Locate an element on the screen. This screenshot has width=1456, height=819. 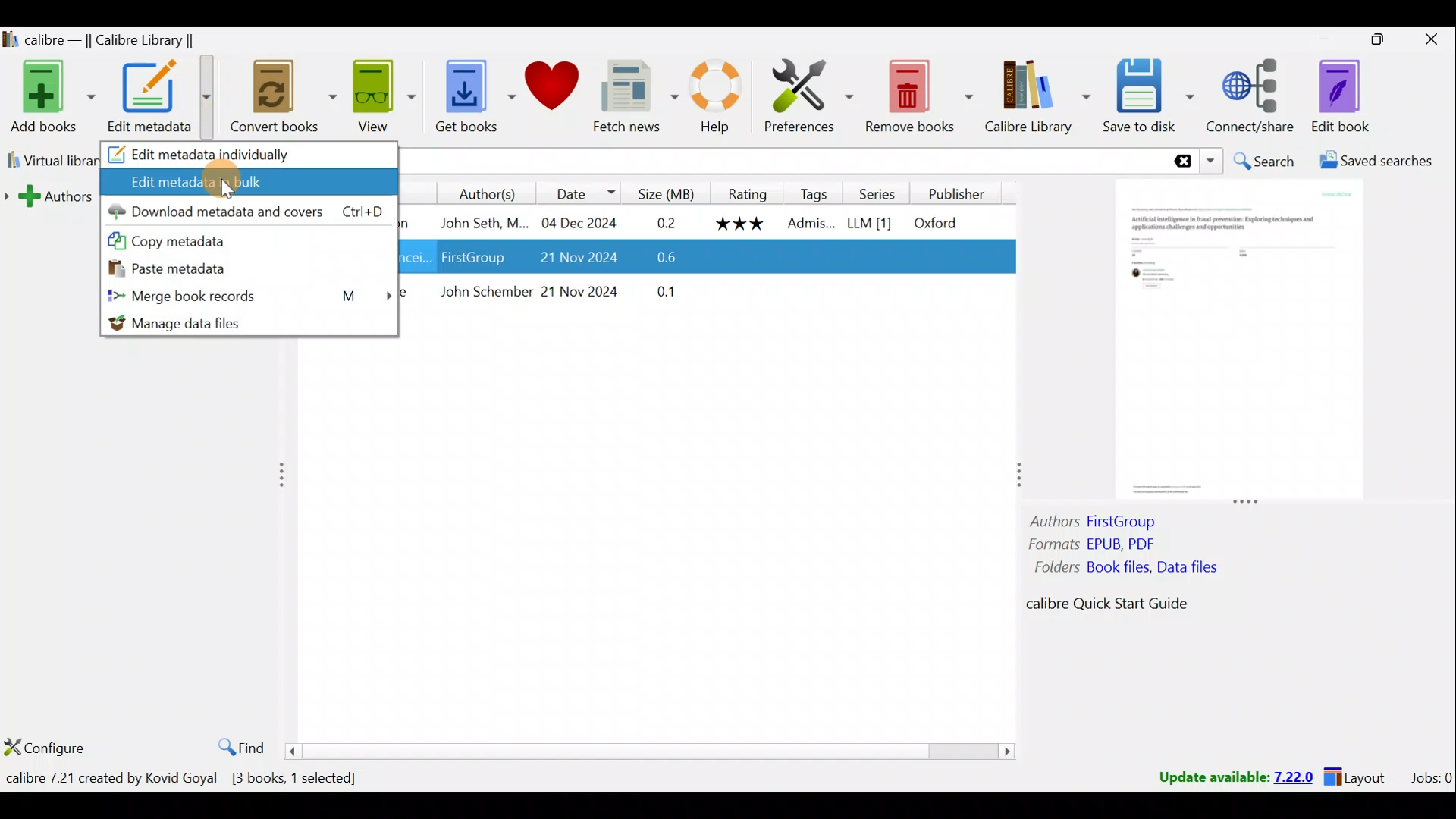
Copy metadata is located at coordinates (166, 239).